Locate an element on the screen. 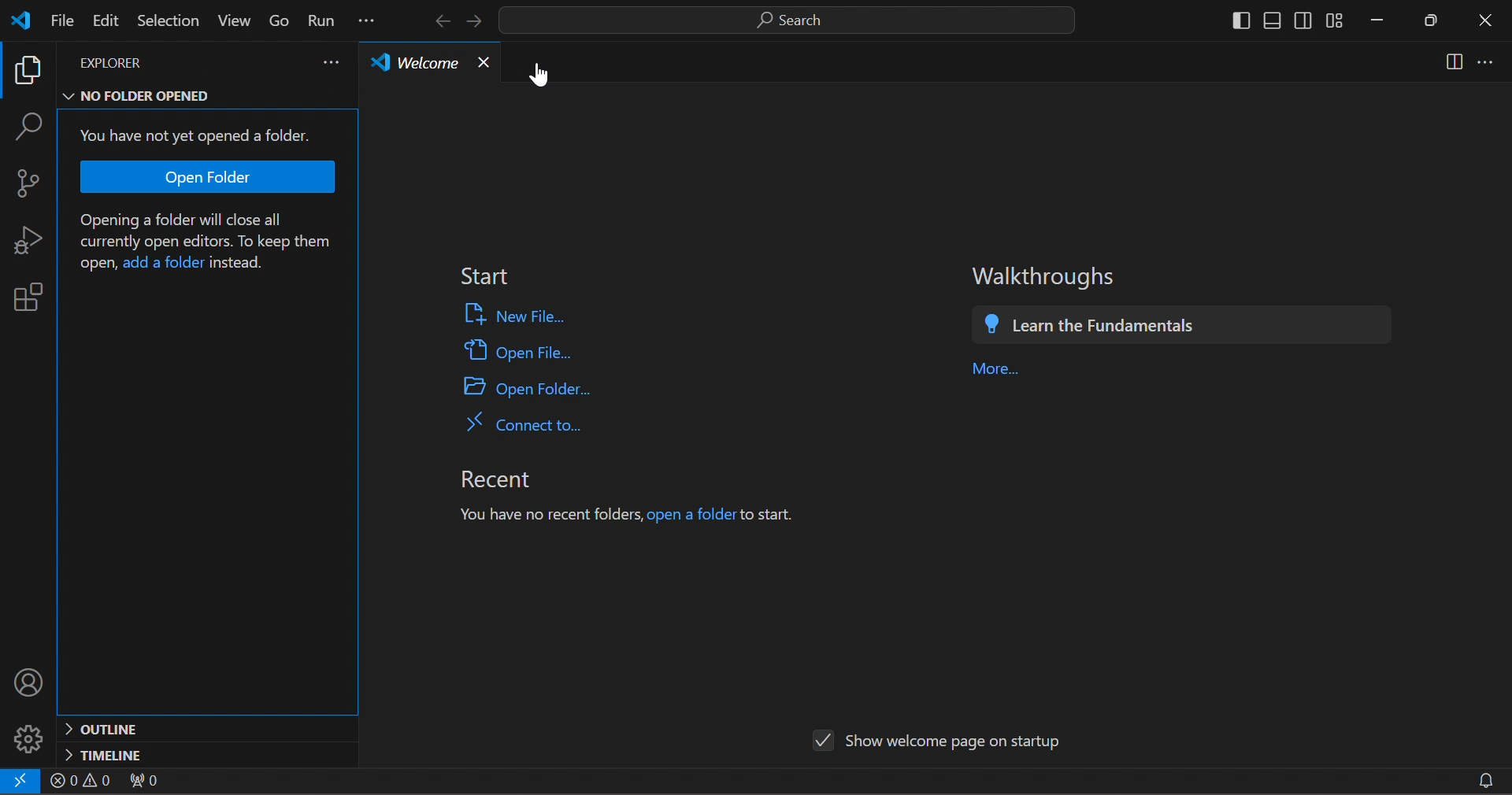 The width and height of the screenshot is (1512, 795). run is located at coordinates (324, 17).